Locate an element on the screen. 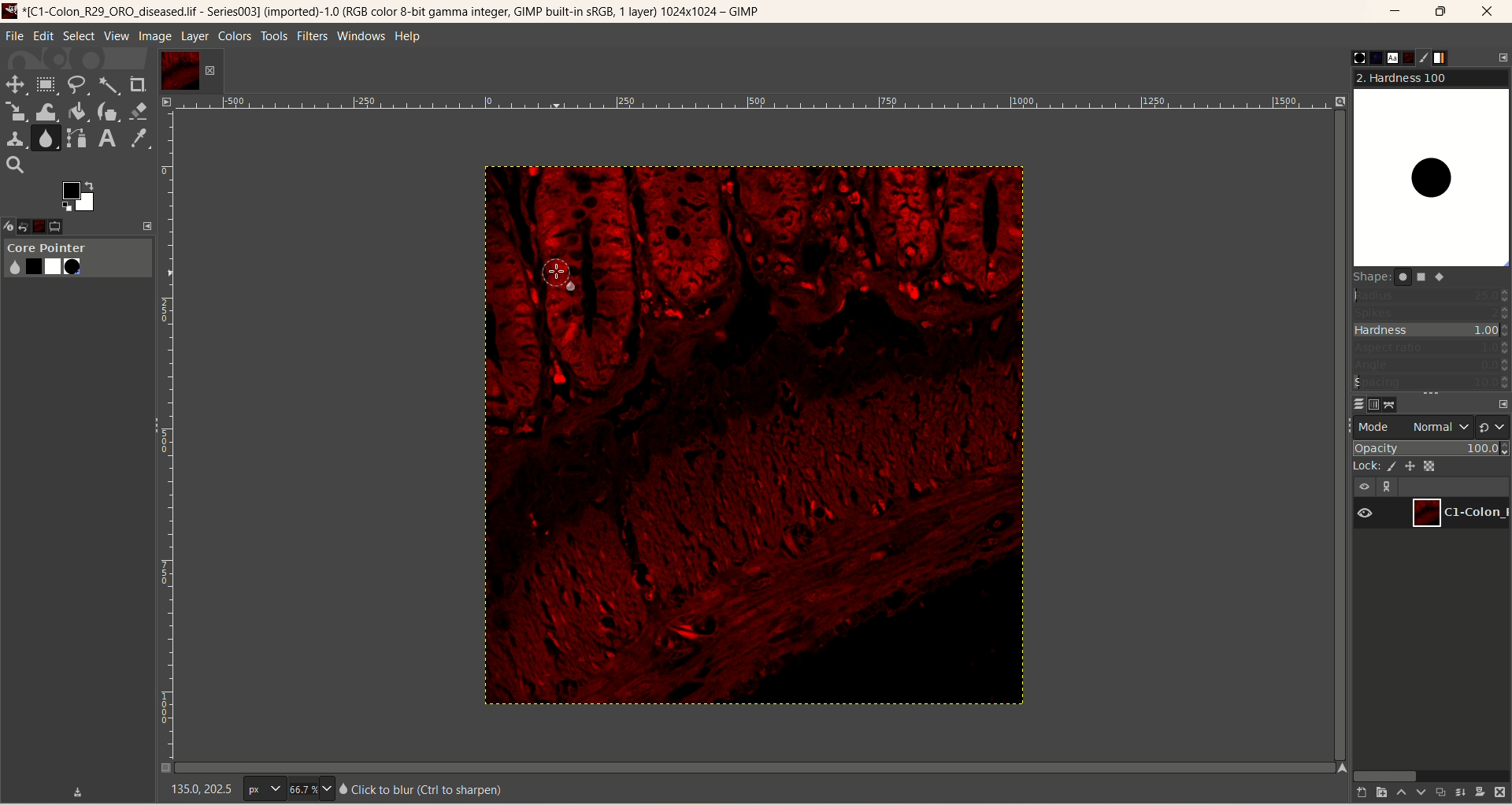  duplicate the layer is located at coordinates (1439, 794).